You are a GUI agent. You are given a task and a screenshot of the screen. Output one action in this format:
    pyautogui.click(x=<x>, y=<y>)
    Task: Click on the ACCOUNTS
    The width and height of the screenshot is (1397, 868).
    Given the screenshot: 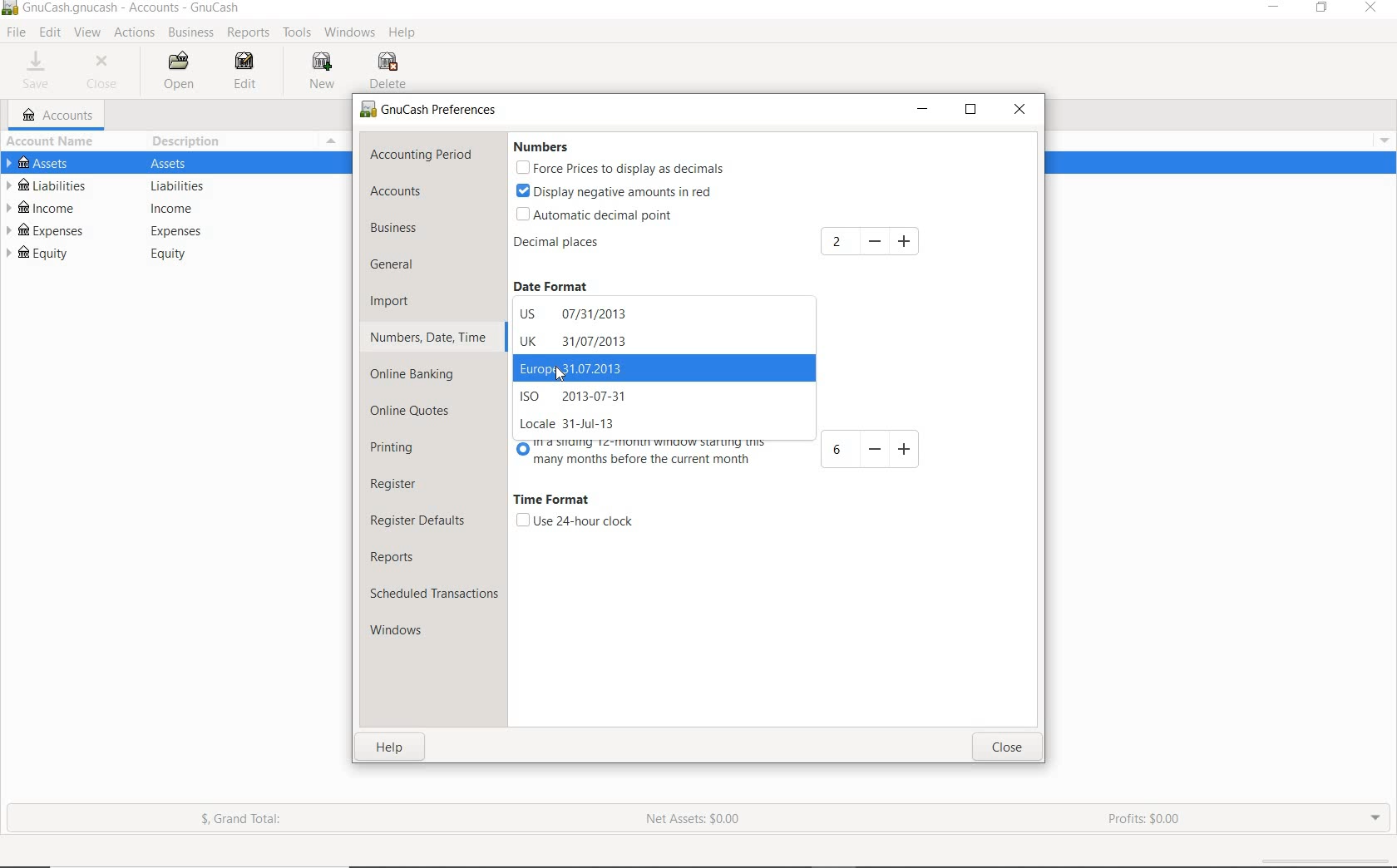 What is the action you would take?
    pyautogui.click(x=59, y=116)
    